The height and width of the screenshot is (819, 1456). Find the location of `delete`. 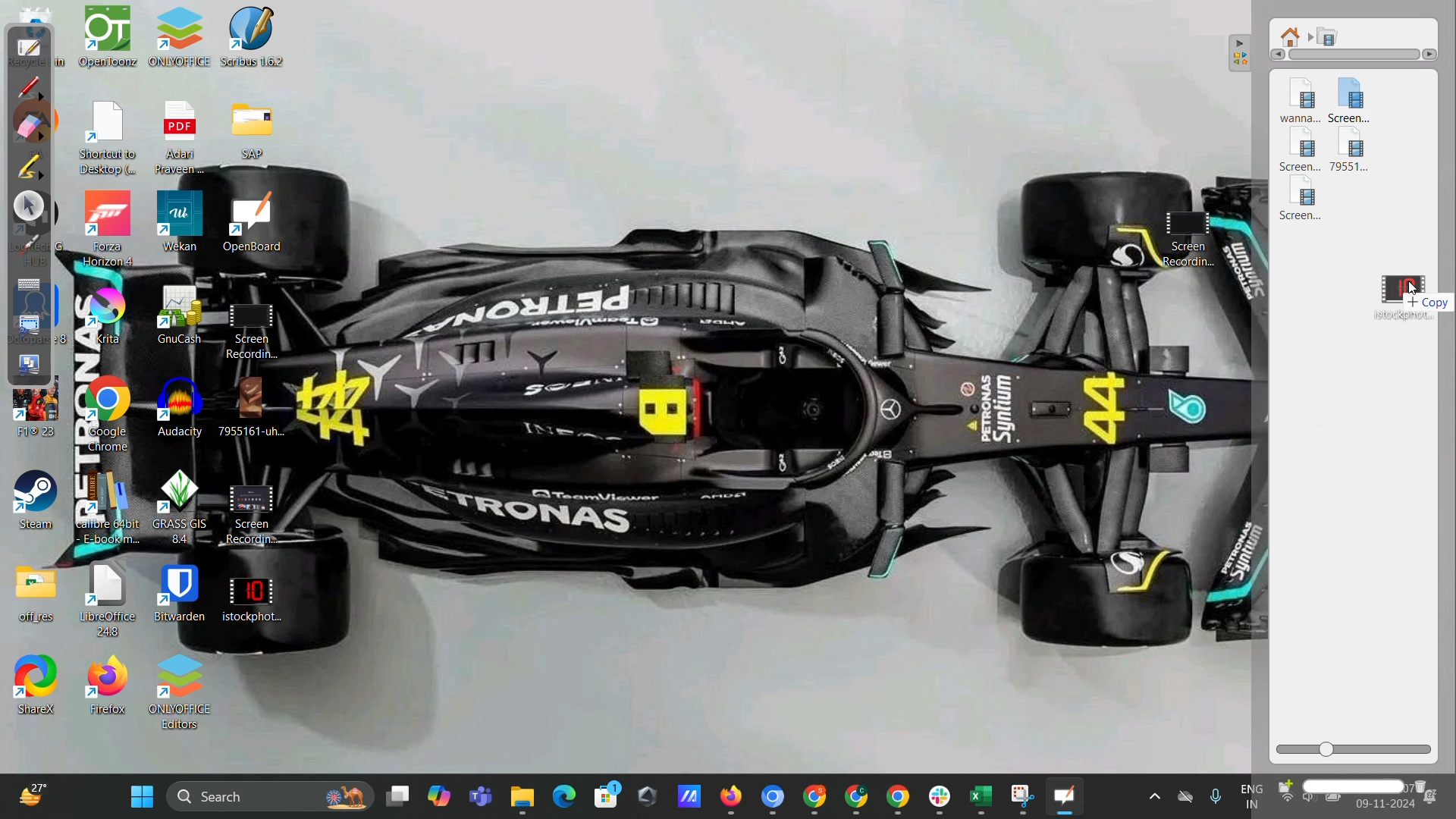

delete is located at coordinates (1426, 785).